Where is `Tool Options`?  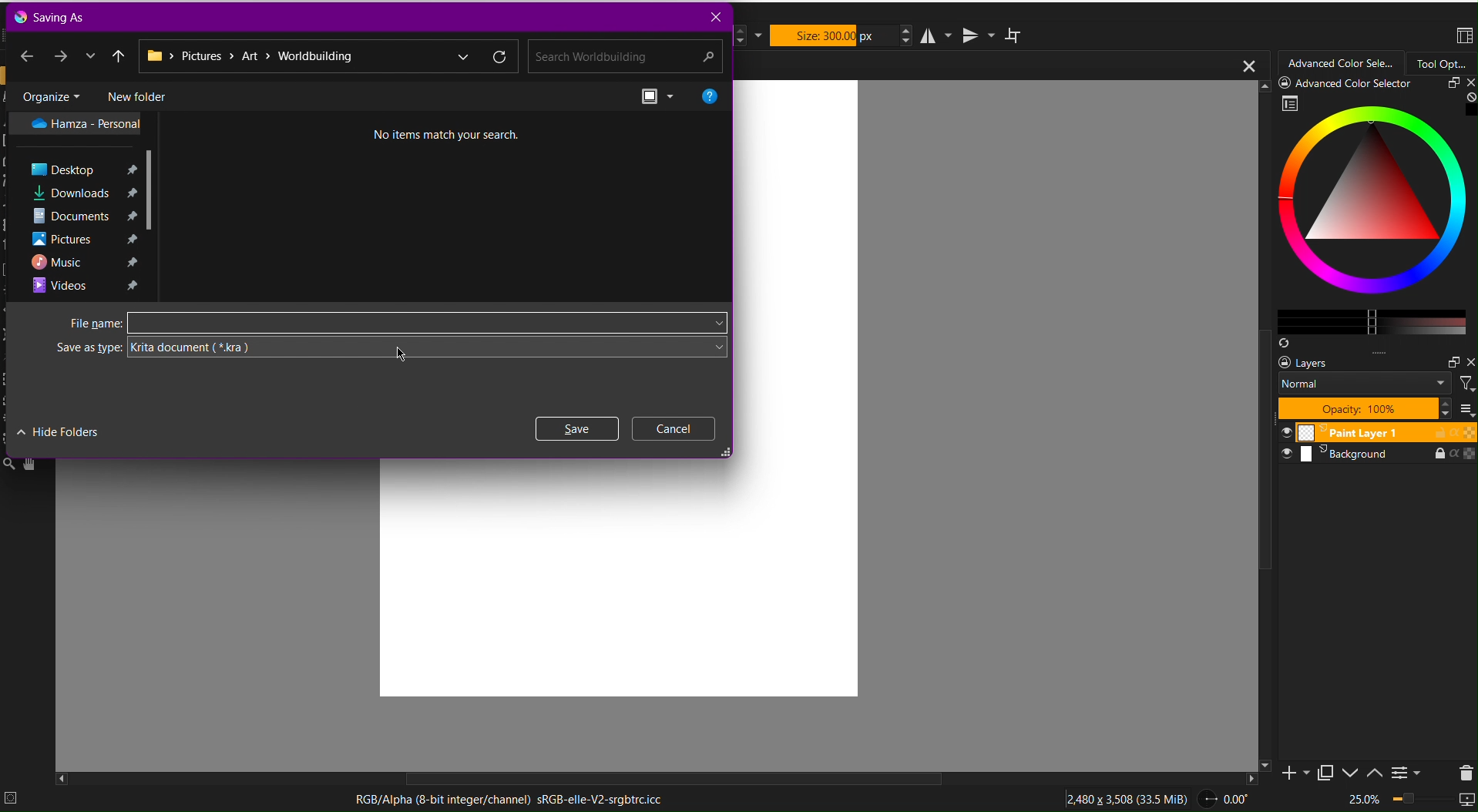
Tool Options is located at coordinates (1442, 63).